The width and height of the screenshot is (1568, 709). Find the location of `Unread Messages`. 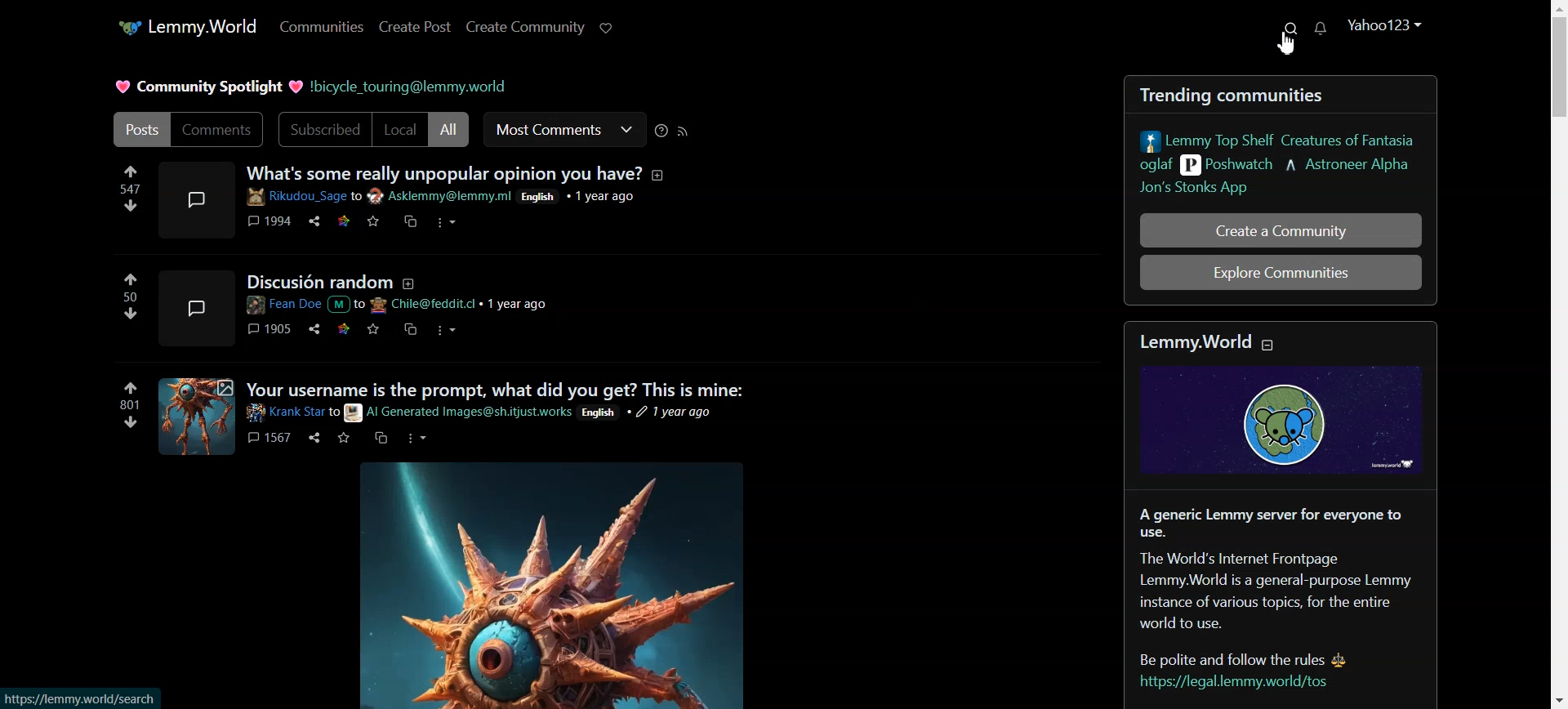

Unread Messages is located at coordinates (1321, 30).